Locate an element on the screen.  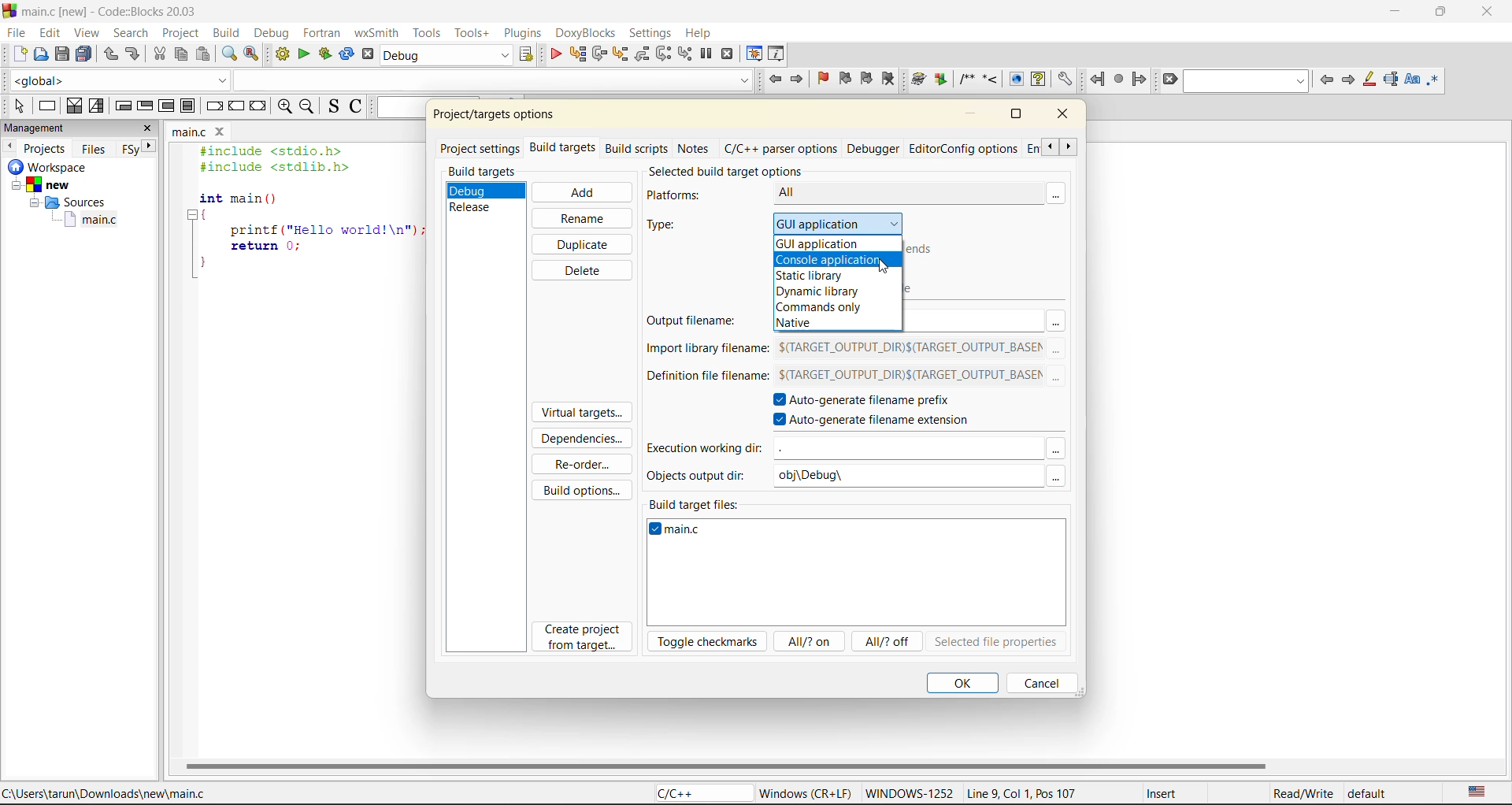
cut is located at coordinates (160, 54).